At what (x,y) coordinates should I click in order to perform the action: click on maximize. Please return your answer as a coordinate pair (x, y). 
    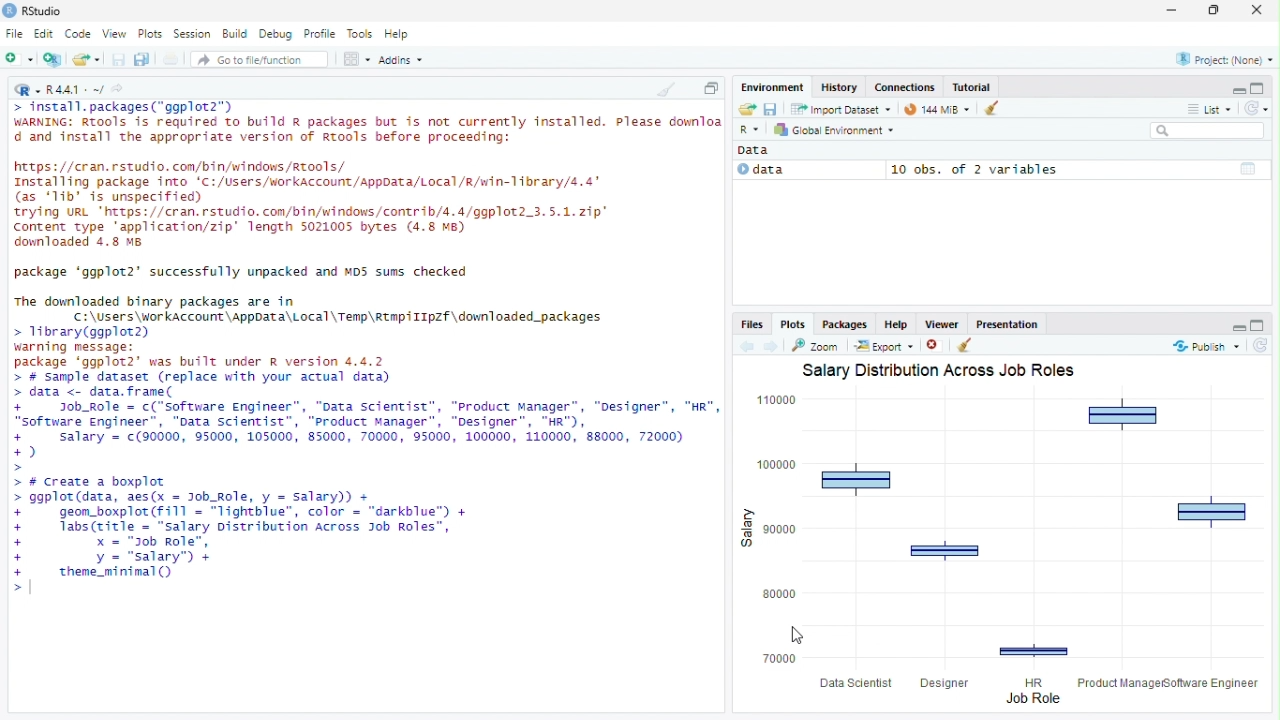
    Looking at the image, I should click on (1261, 325).